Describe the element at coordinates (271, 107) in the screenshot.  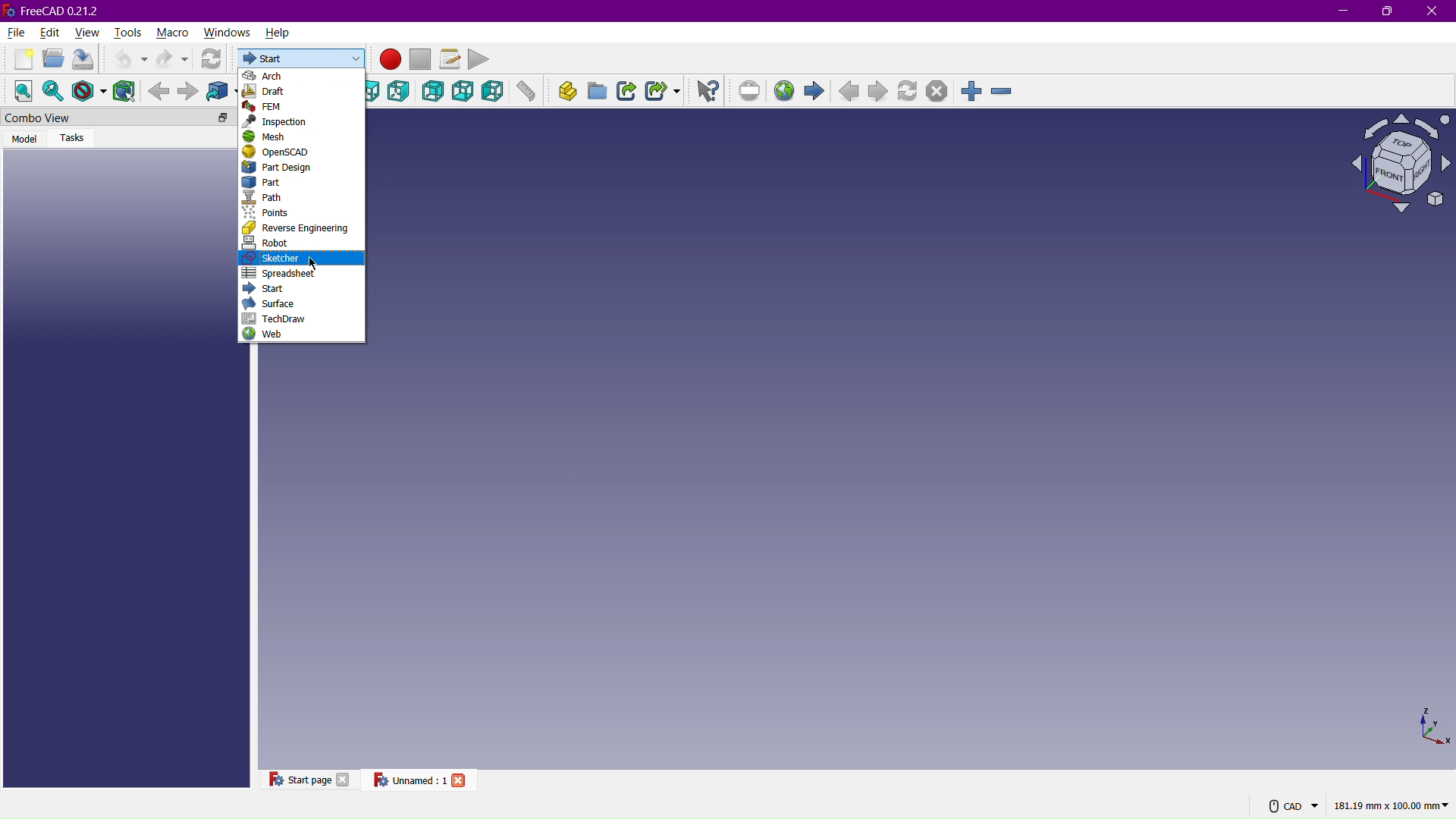
I see `FEM` at that location.